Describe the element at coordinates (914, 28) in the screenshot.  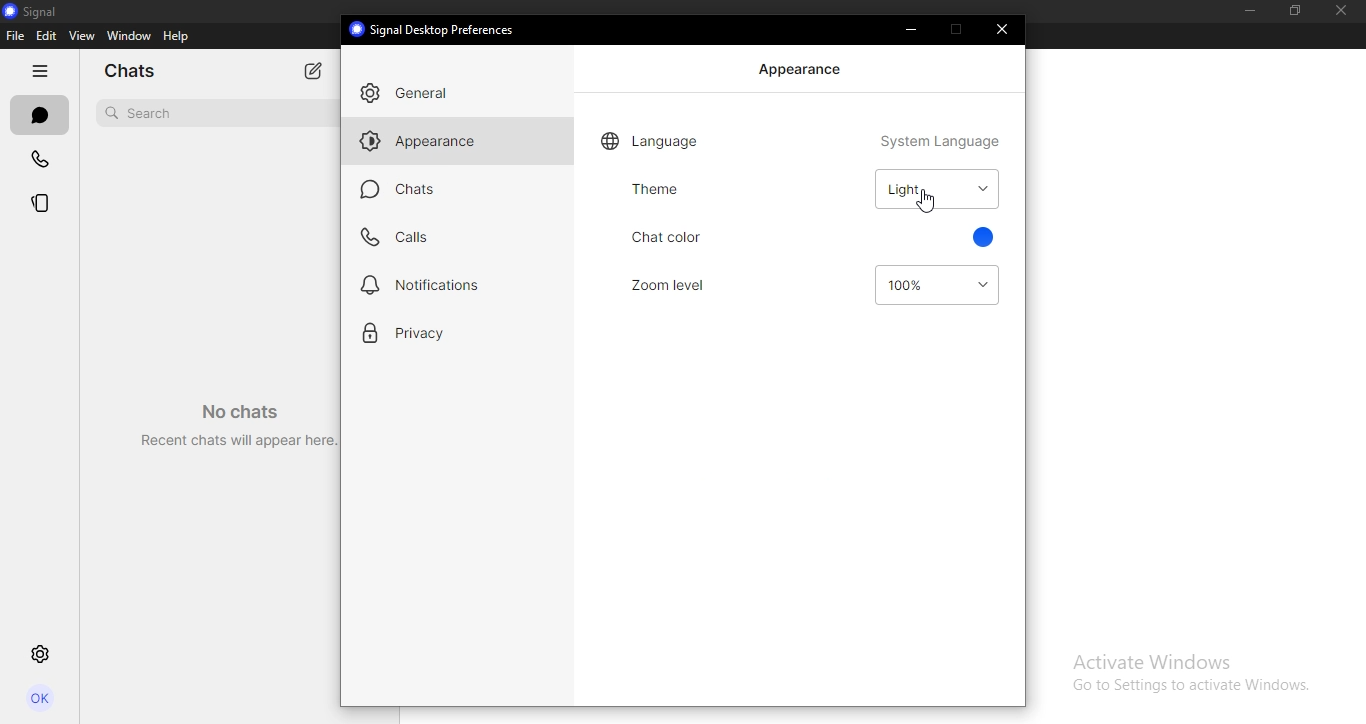
I see `minimize` at that location.